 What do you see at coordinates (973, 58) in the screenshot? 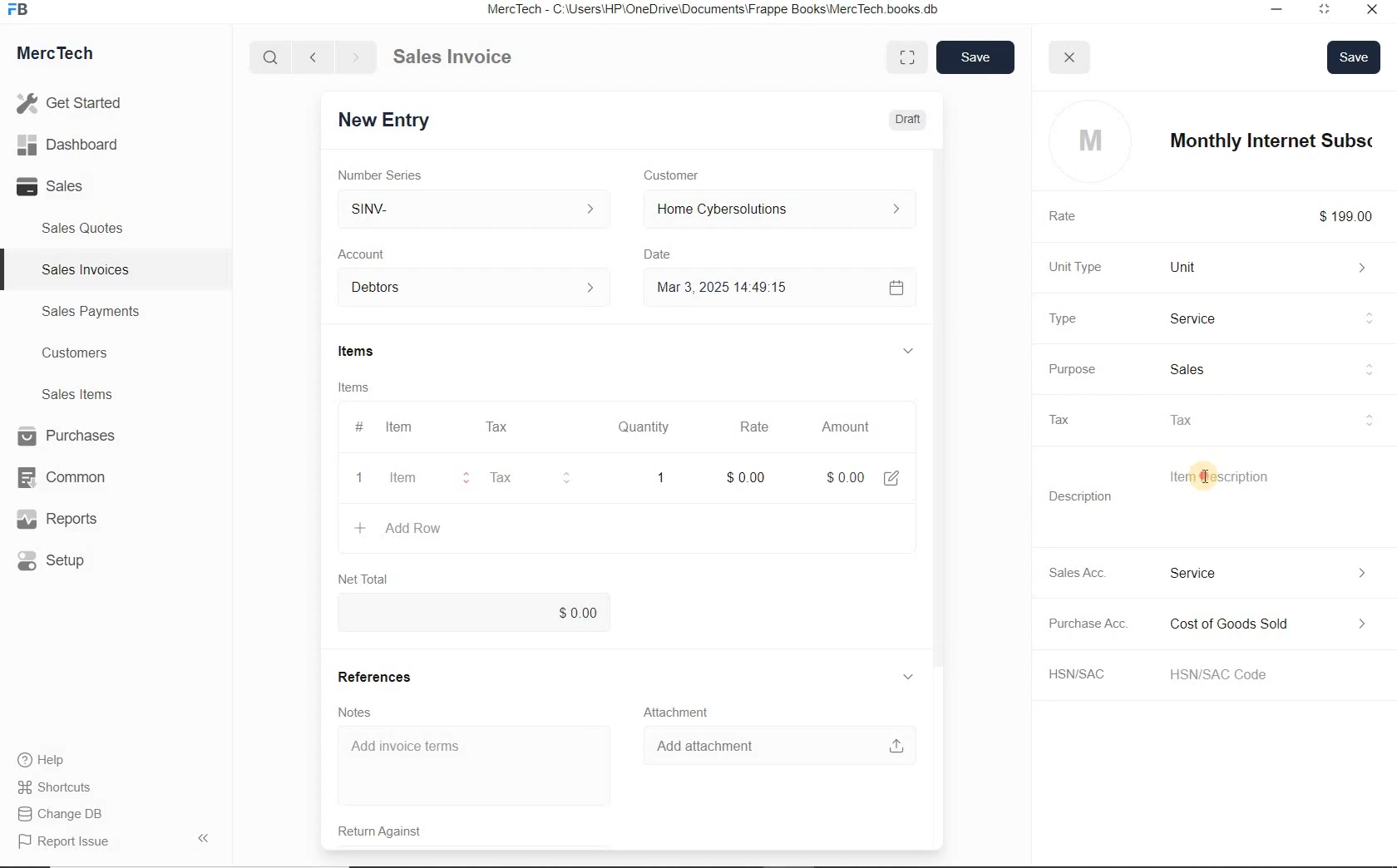
I see `save` at bounding box center [973, 58].